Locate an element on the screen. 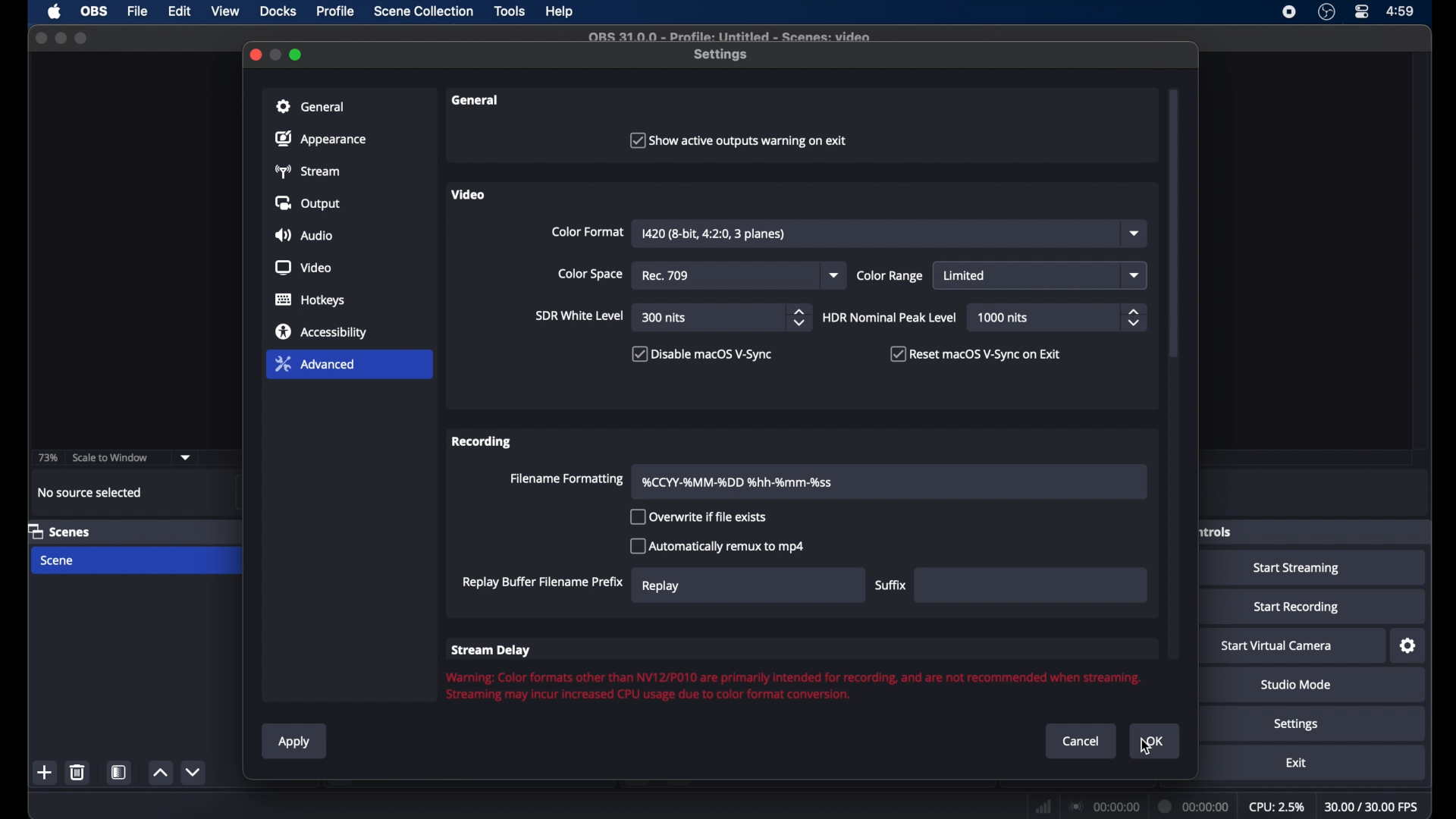  stream is located at coordinates (310, 171).